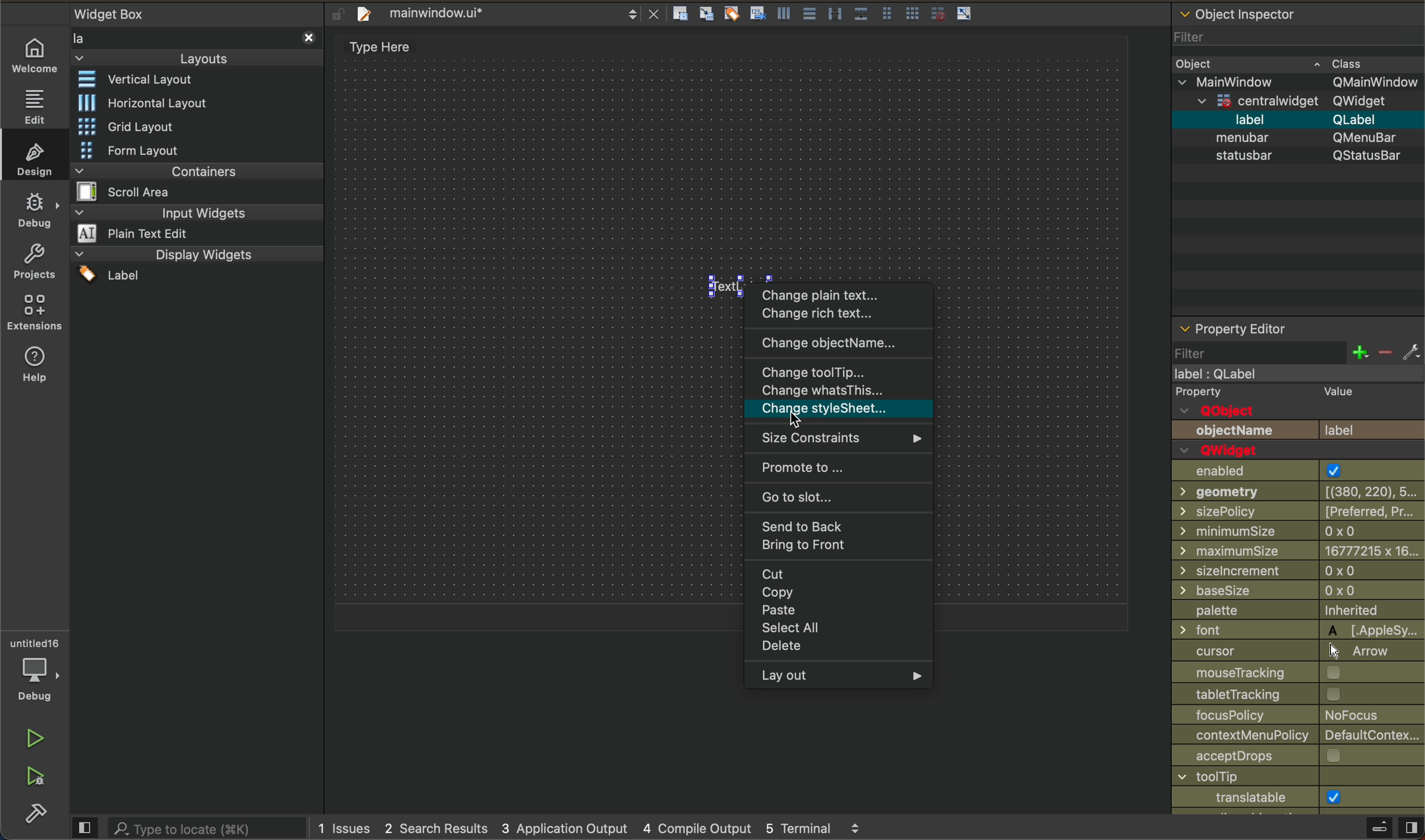 The image size is (1425, 840). I want to click on cut, so click(838, 574).